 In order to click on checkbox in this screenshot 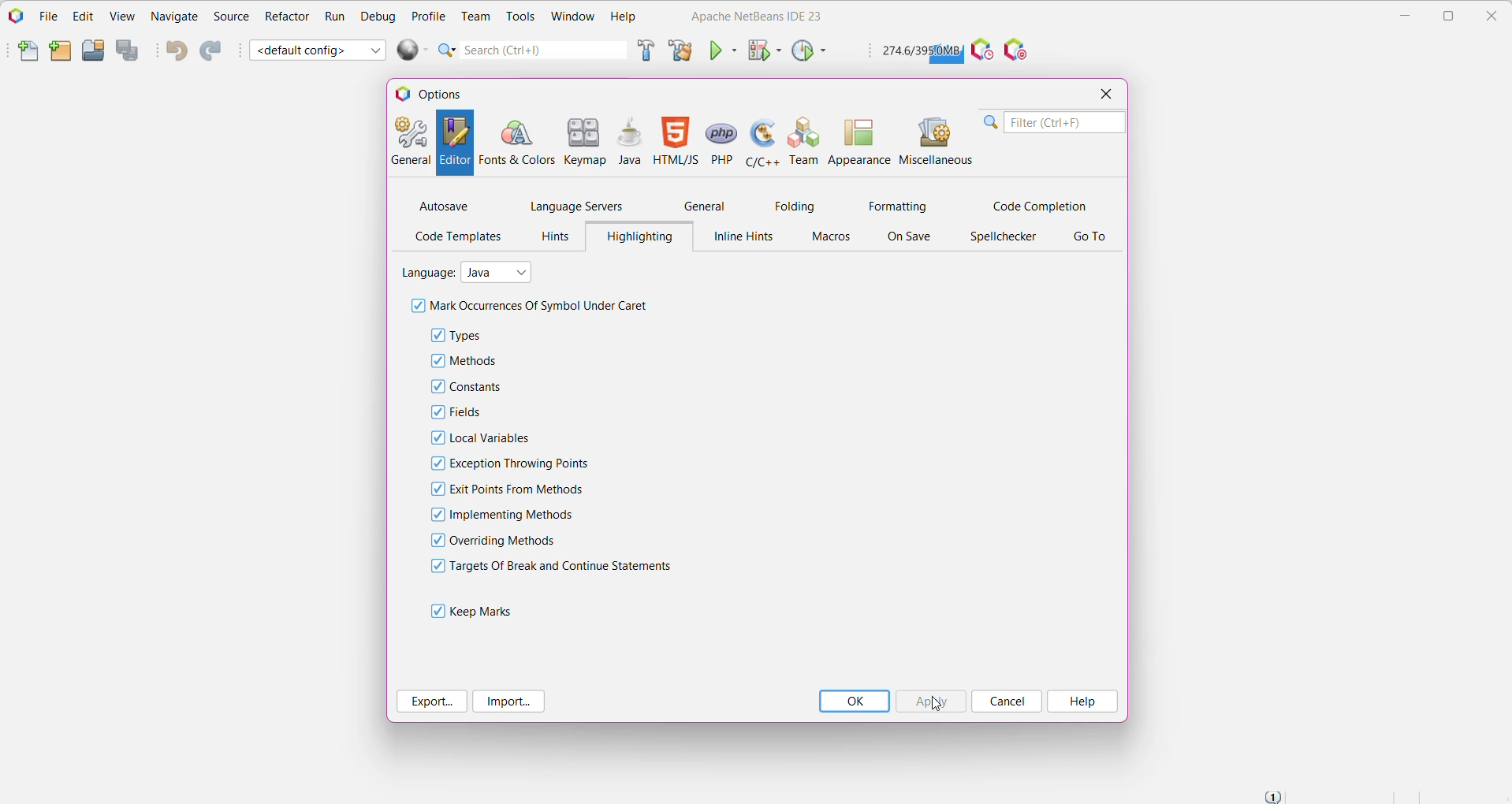, I will do `click(436, 385)`.